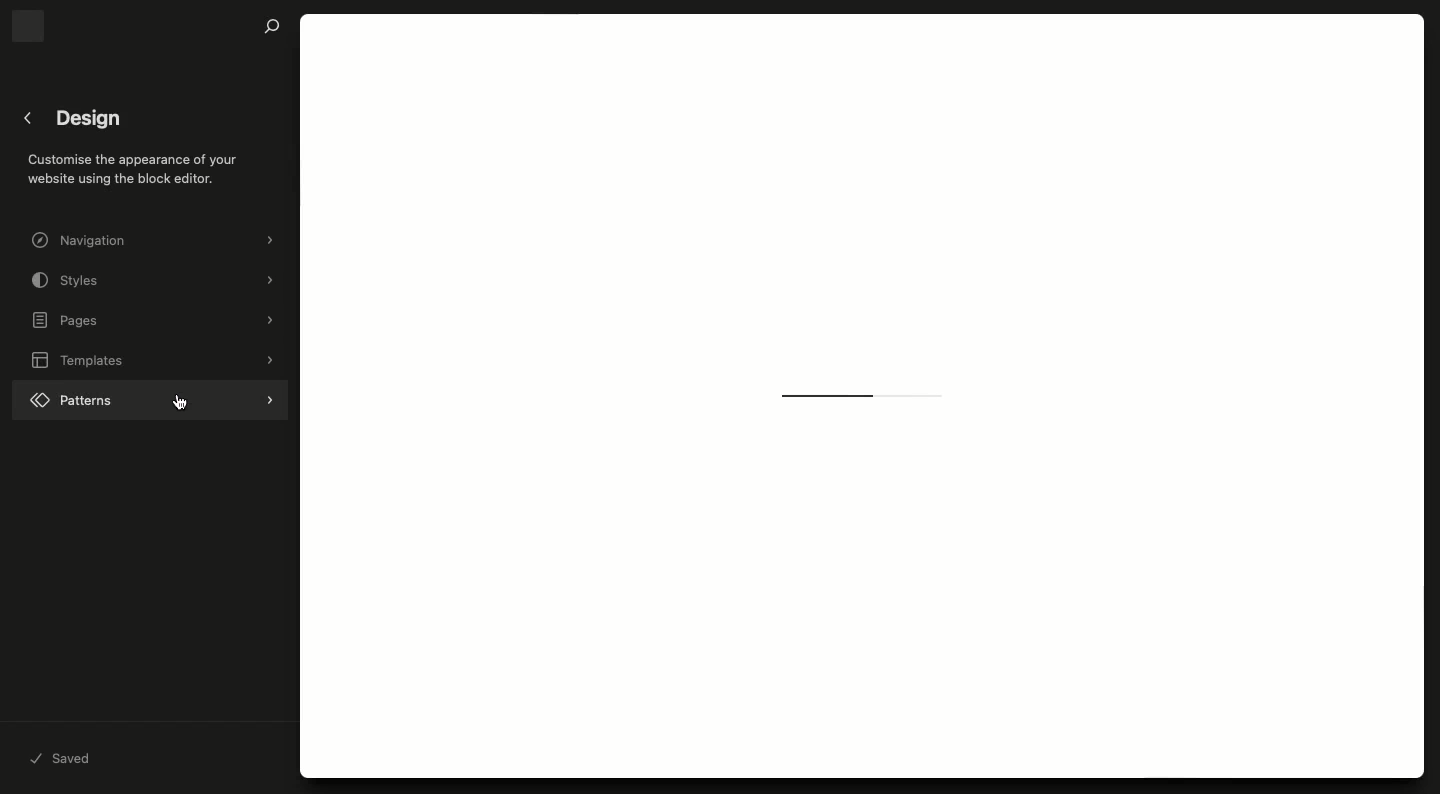  Describe the element at coordinates (155, 241) in the screenshot. I see `Navigation` at that location.